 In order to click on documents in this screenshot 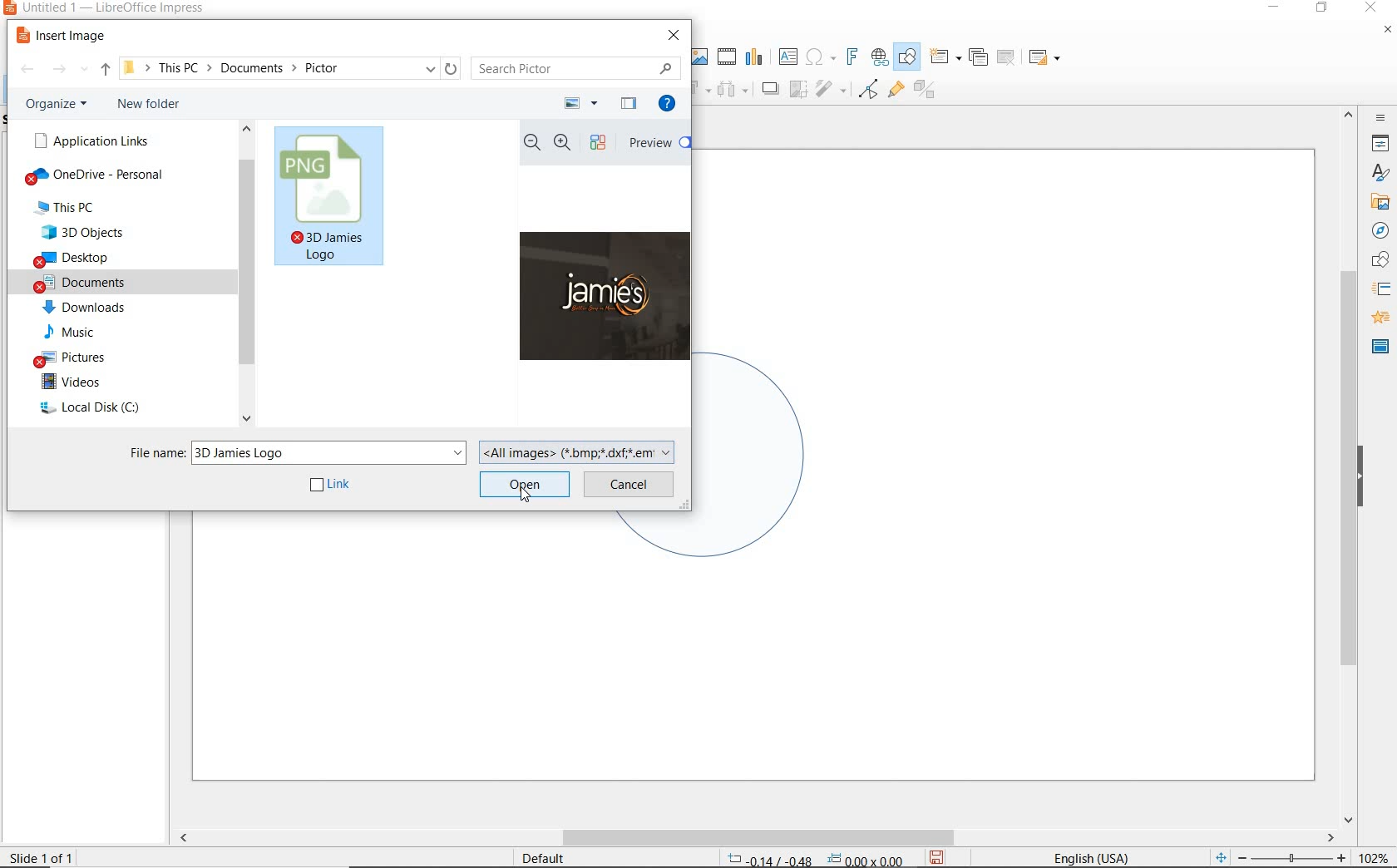, I will do `click(96, 282)`.